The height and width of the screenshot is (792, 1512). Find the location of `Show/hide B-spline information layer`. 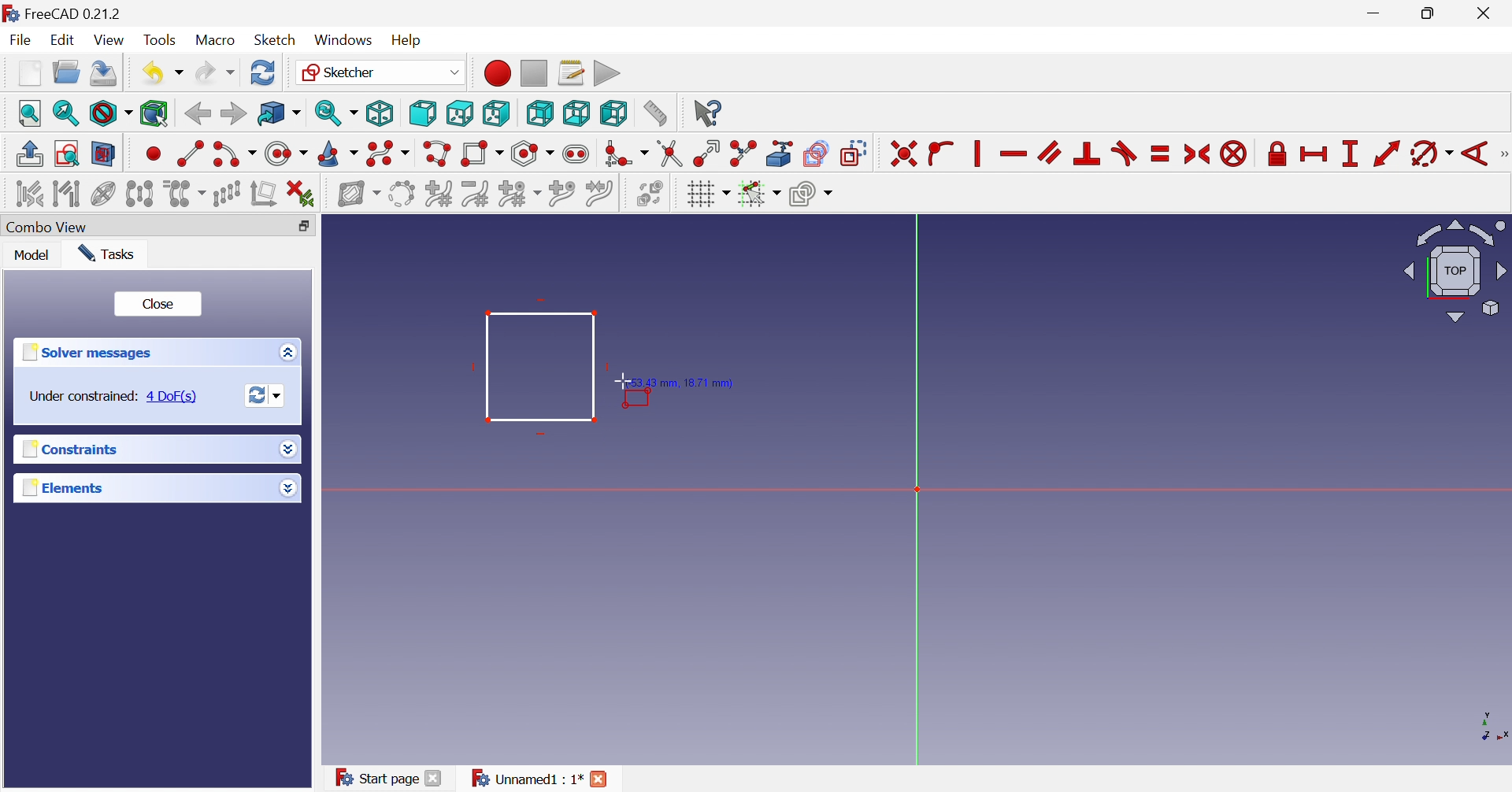

Show/hide B-spline information layer is located at coordinates (359, 194).